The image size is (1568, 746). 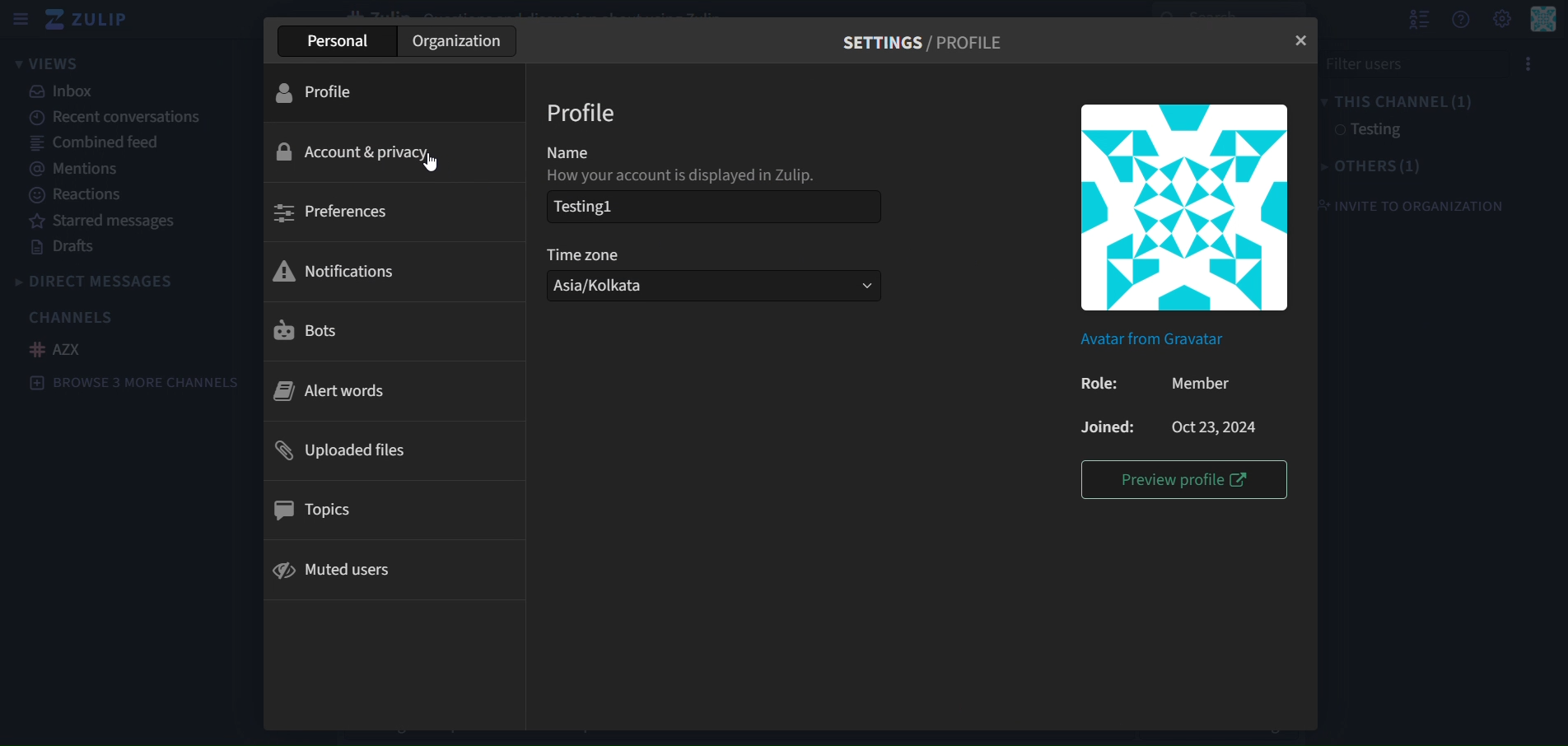 What do you see at coordinates (459, 42) in the screenshot?
I see `organization` at bounding box center [459, 42].